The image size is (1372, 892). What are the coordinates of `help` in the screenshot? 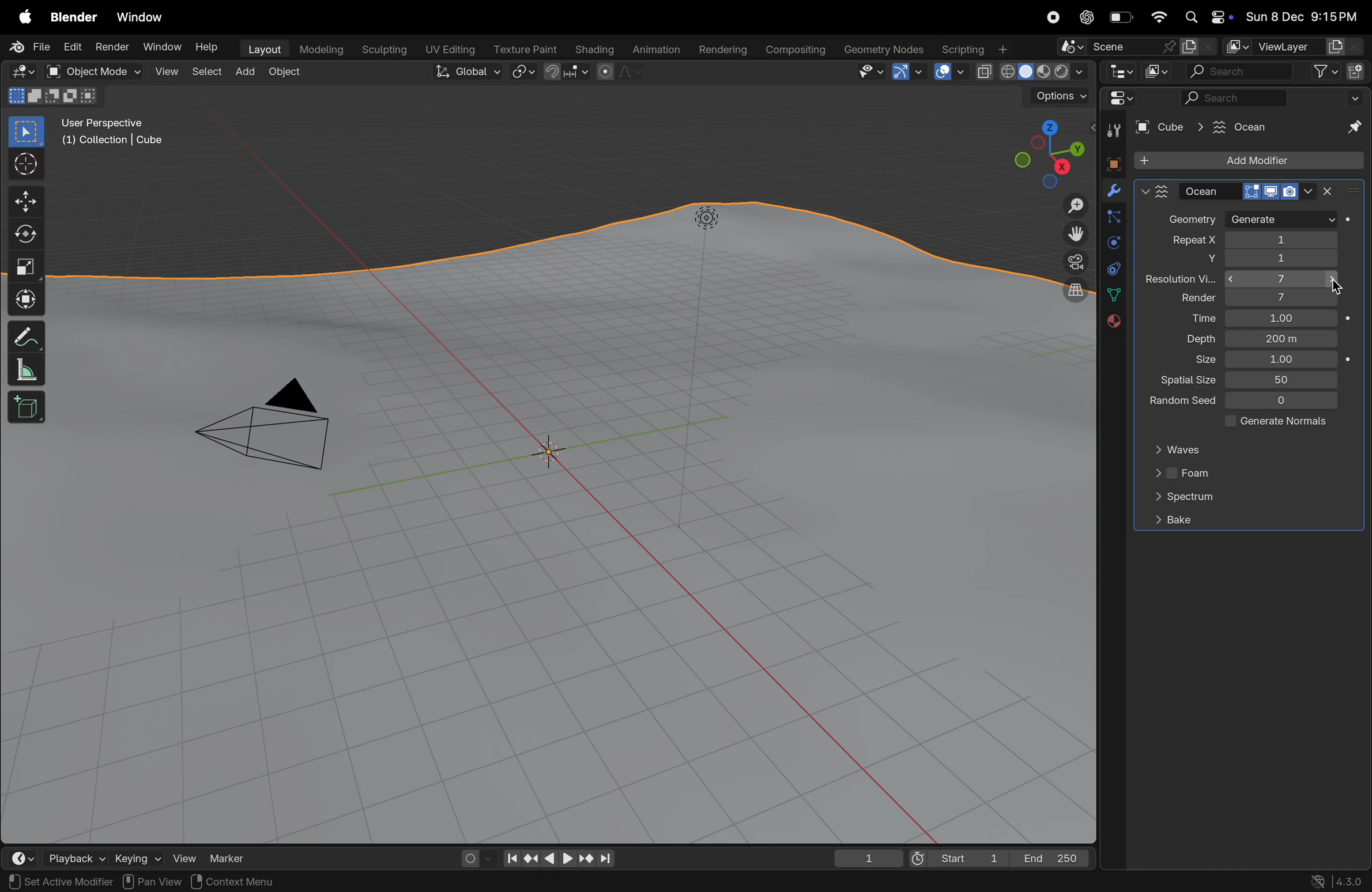 It's located at (209, 50).